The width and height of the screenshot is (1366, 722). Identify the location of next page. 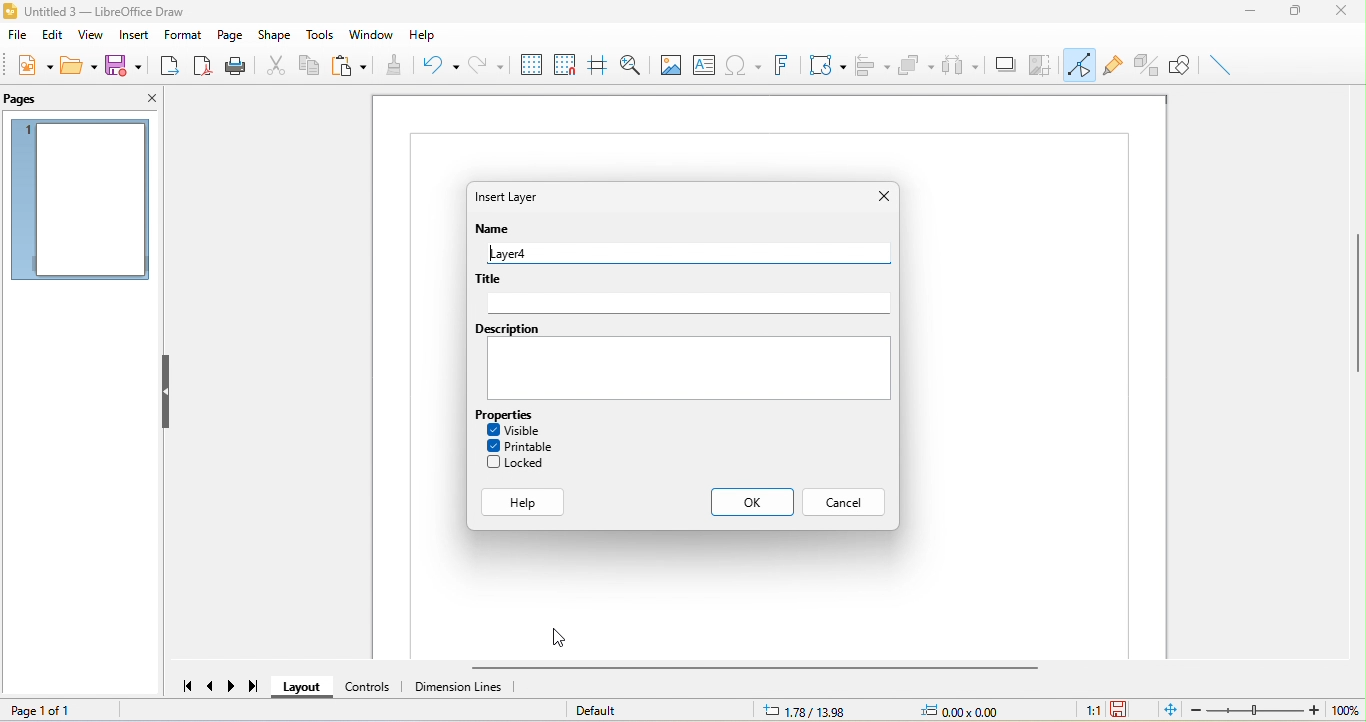
(235, 685).